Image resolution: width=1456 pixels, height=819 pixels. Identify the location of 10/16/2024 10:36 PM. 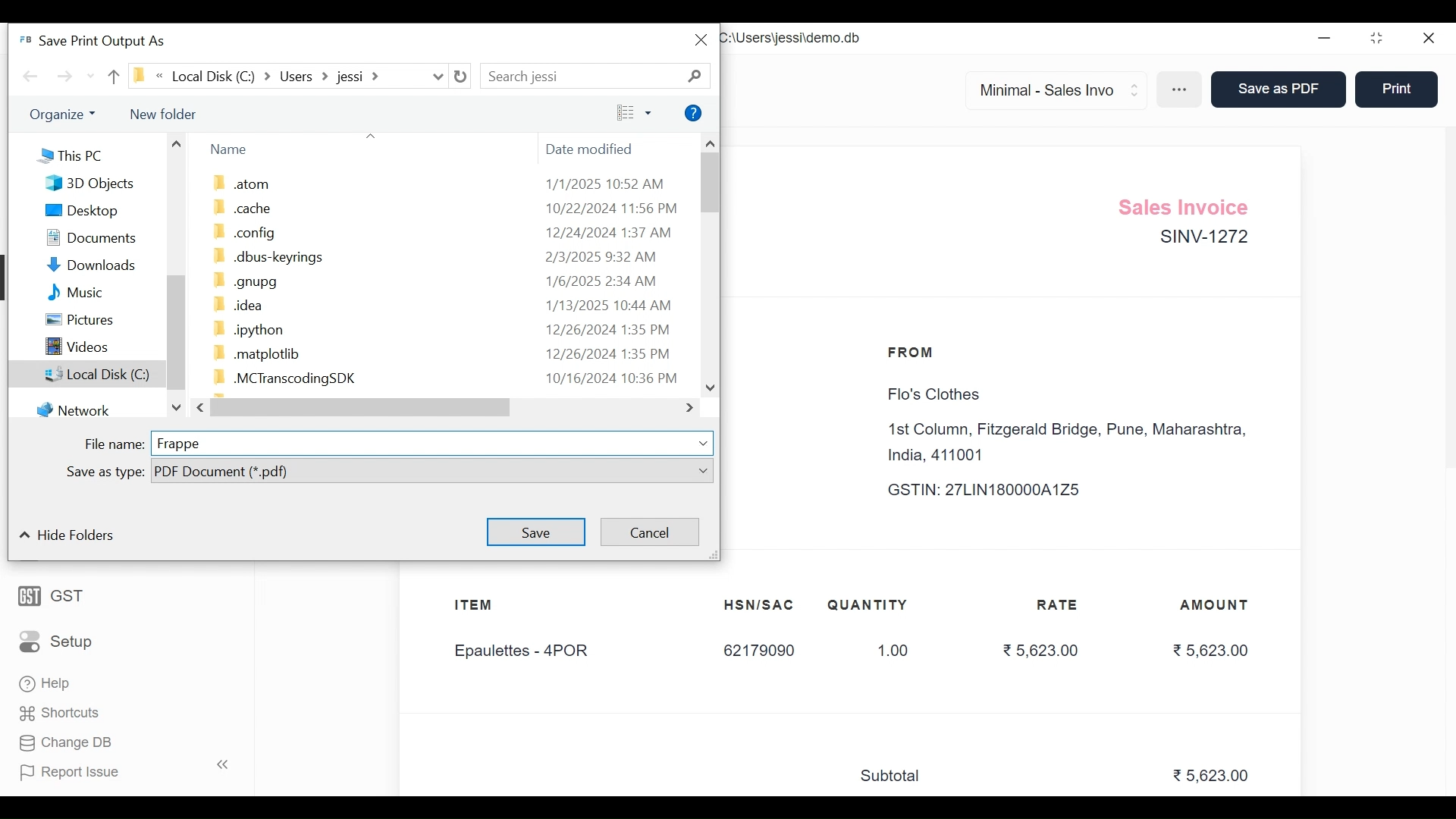
(610, 378).